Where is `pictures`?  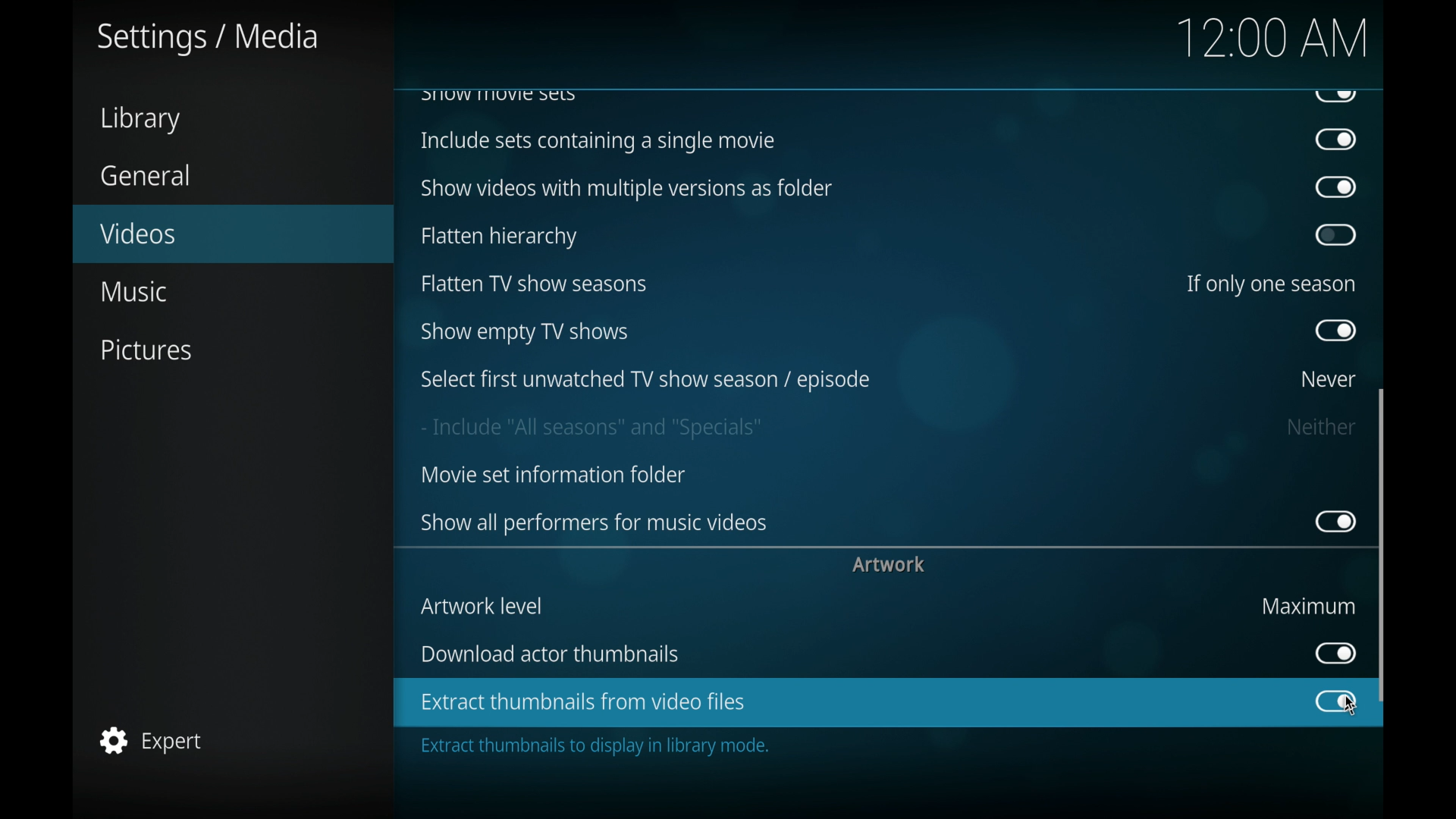 pictures is located at coordinates (150, 350).